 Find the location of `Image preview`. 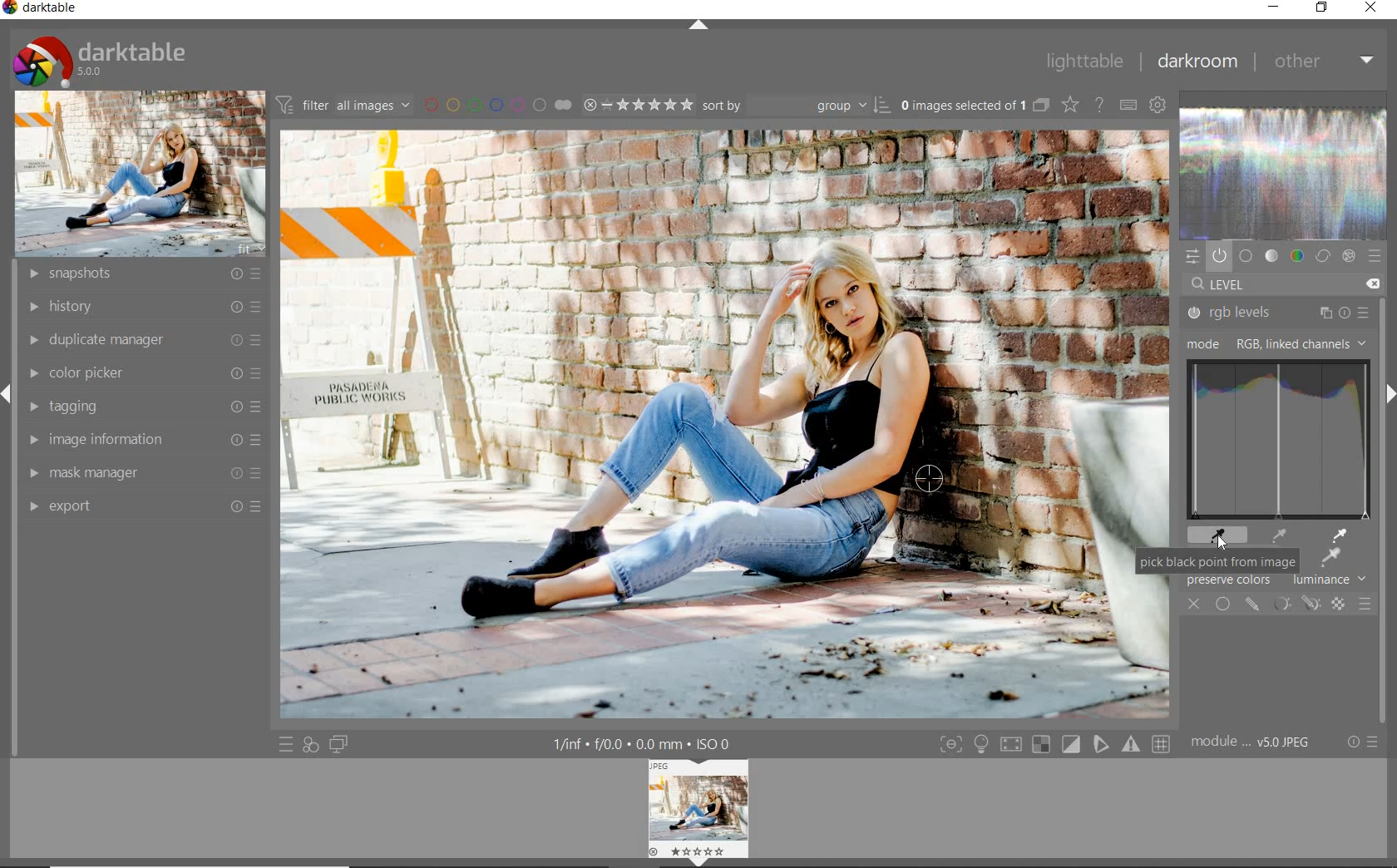

Image preview is located at coordinates (696, 813).